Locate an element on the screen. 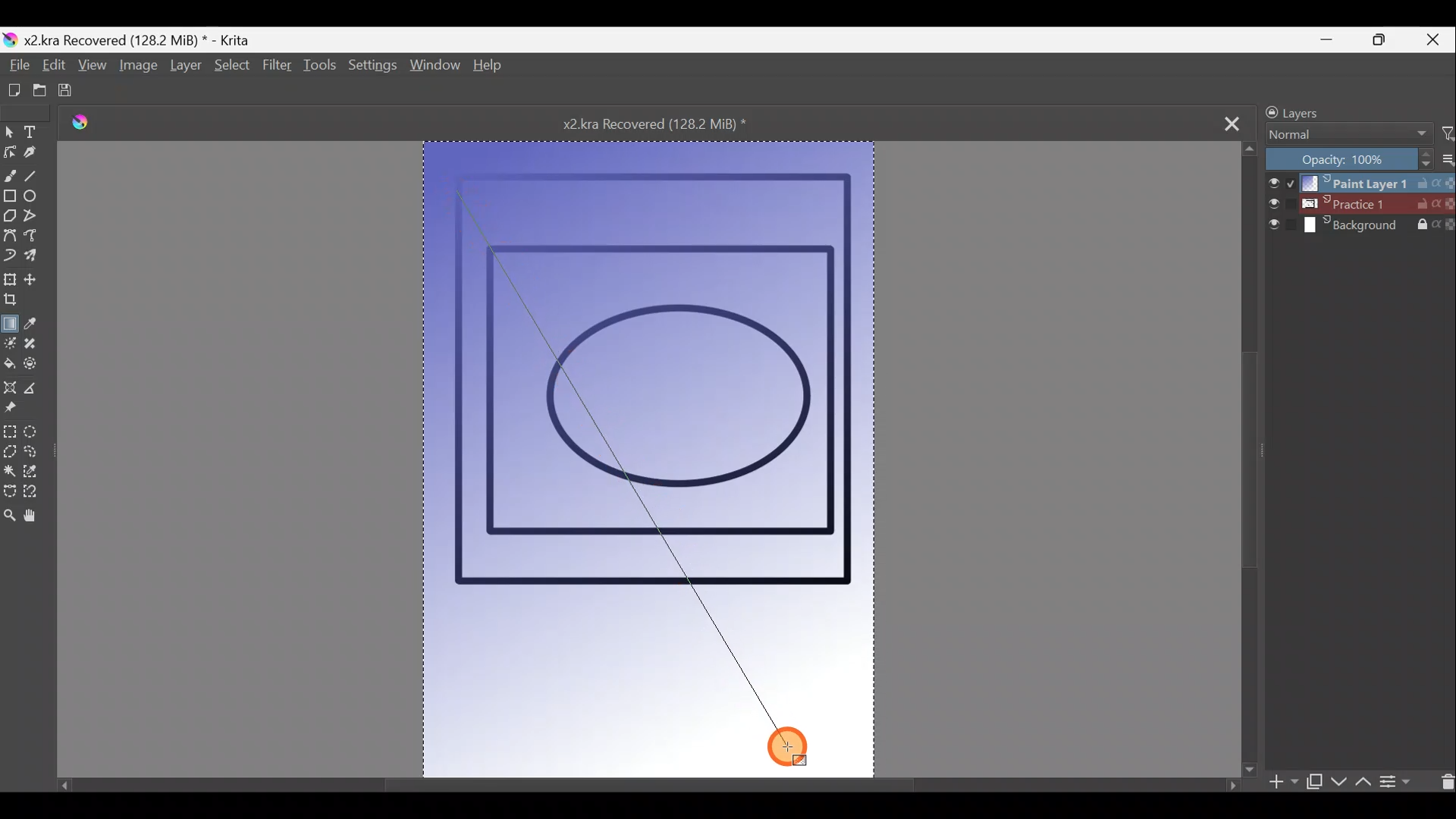  Create new document is located at coordinates (10, 90).